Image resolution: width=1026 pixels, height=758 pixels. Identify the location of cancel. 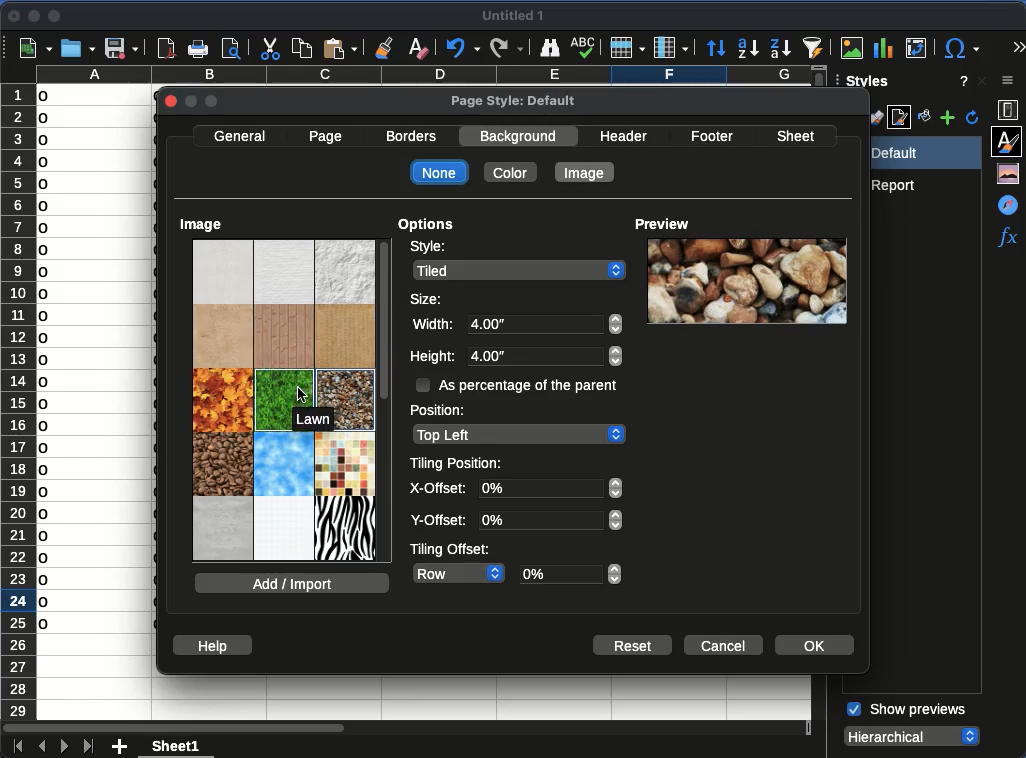
(724, 646).